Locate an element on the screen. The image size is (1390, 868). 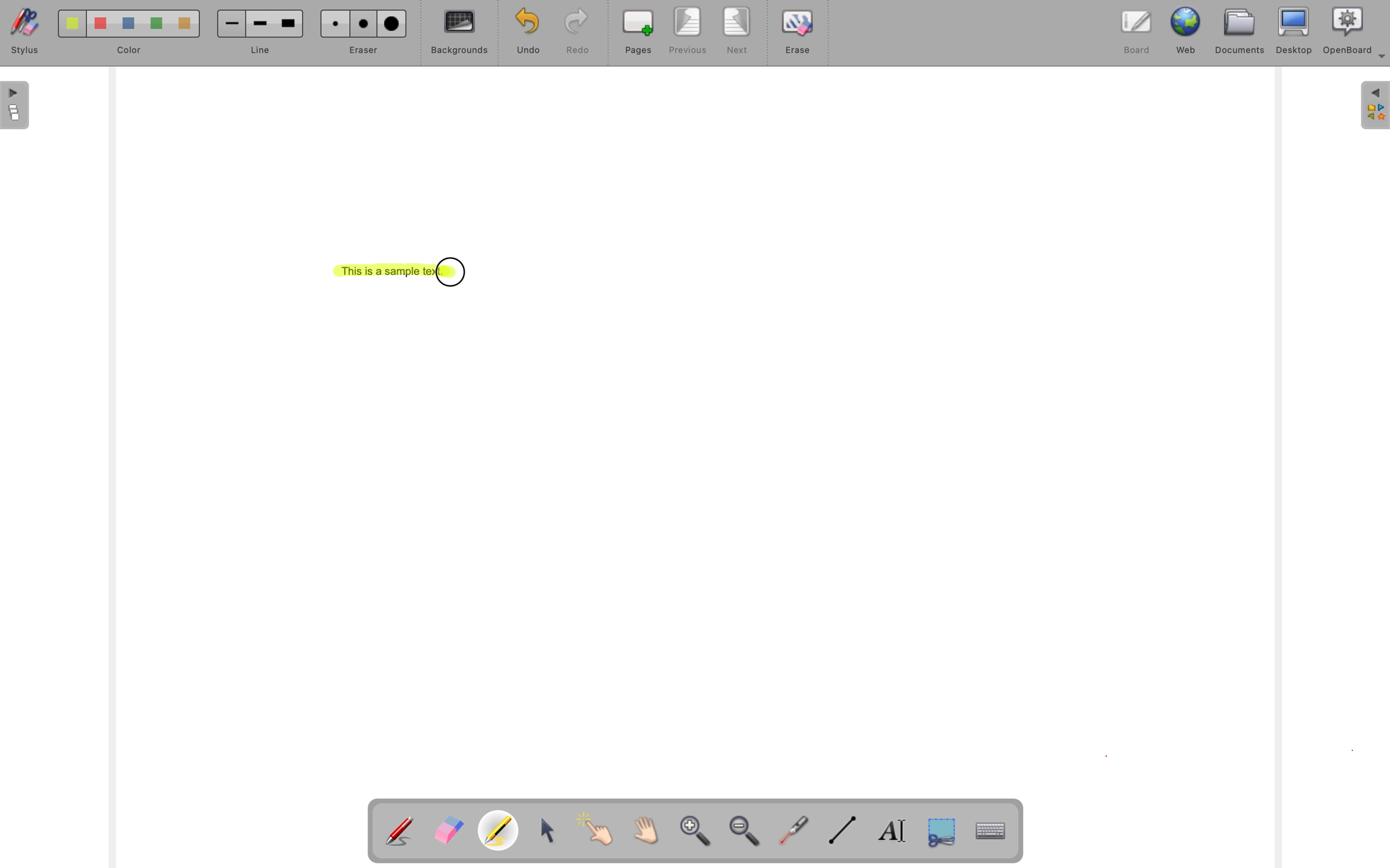
eraser is located at coordinates (365, 50).